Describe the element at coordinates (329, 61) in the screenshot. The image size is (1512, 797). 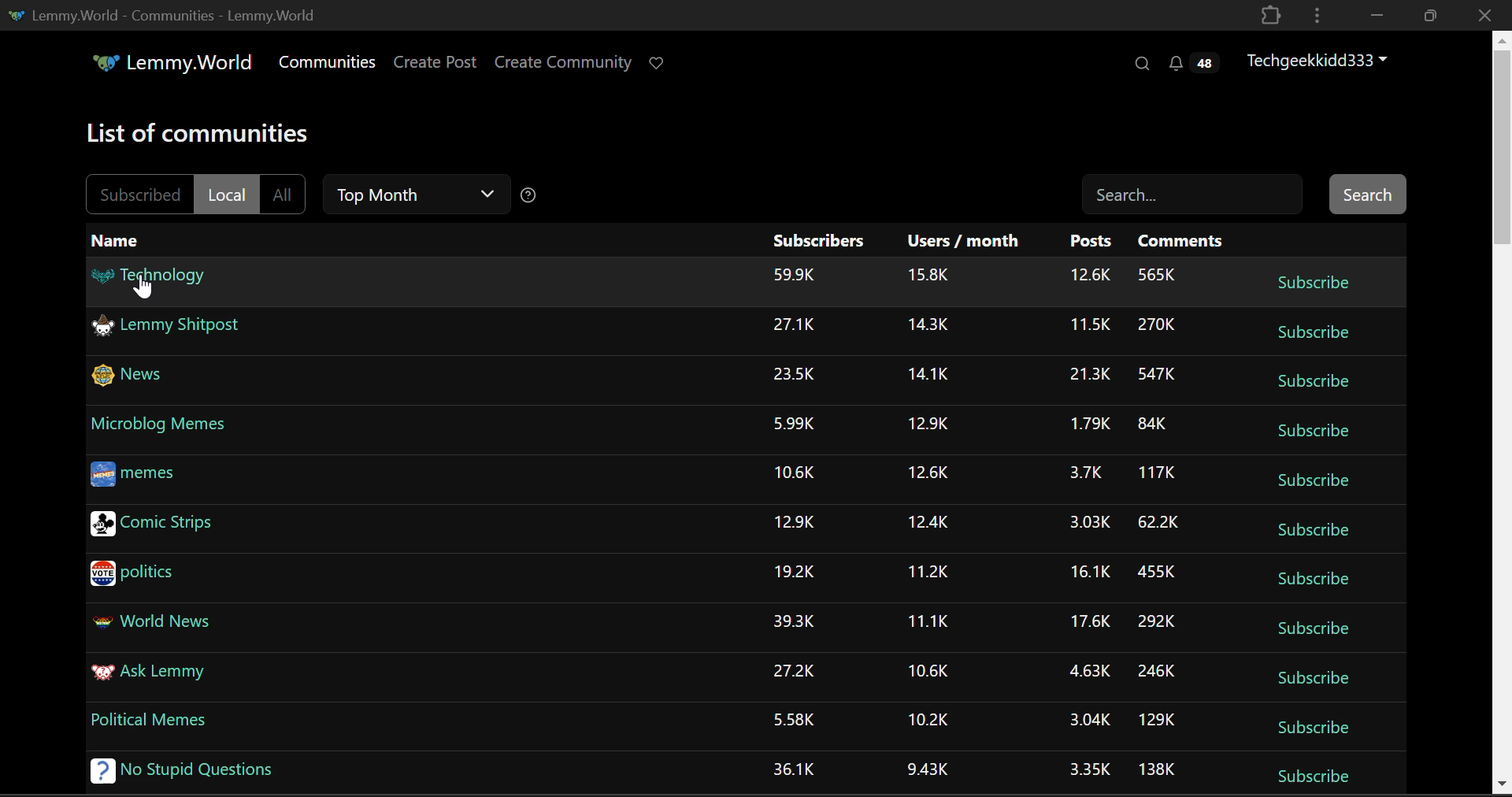
I see `Communities` at that location.